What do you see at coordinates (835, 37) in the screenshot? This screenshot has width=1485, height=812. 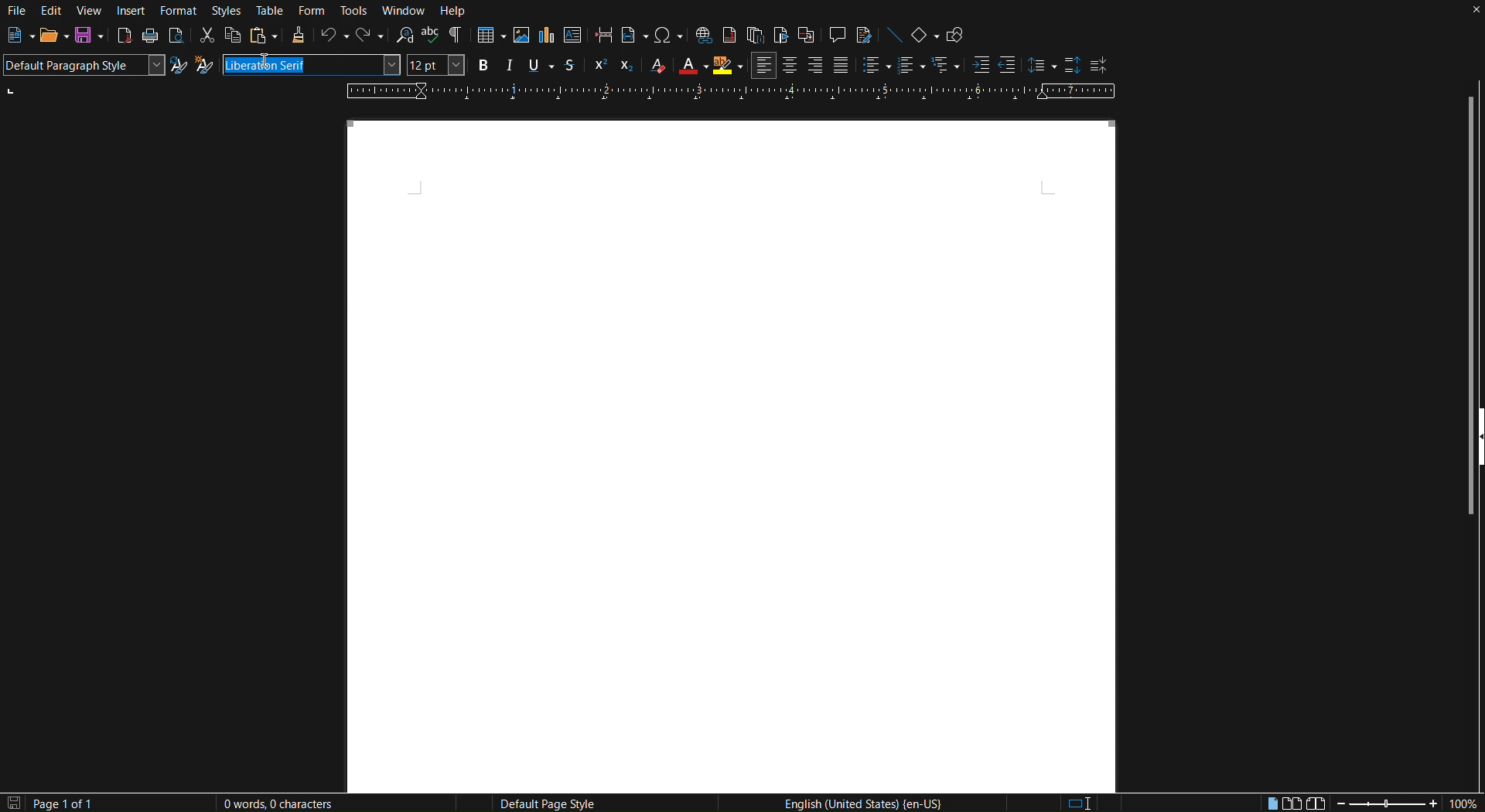 I see `Insert Comment` at bounding box center [835, 37].